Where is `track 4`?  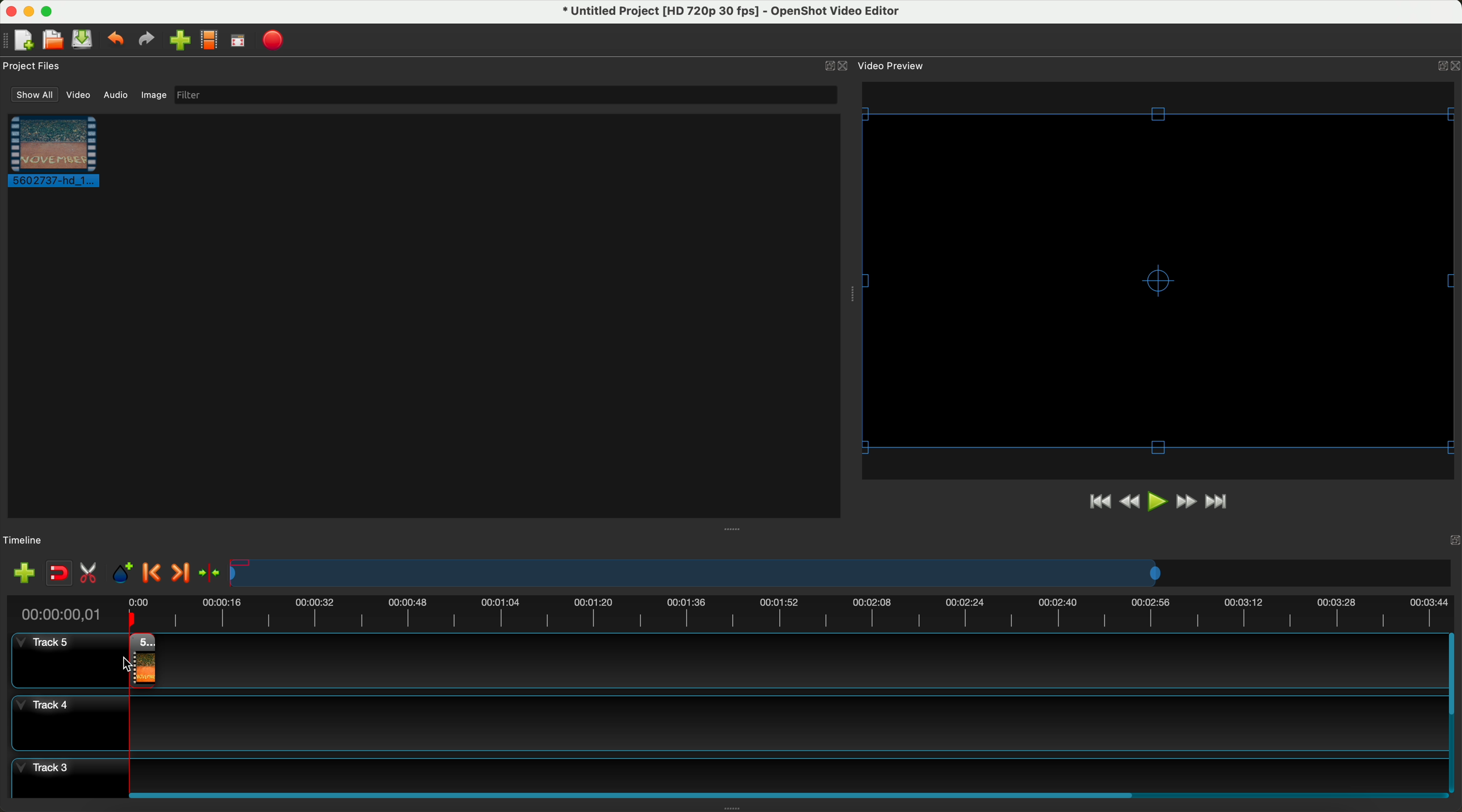 track 4 is located at coordinates (725, 725).